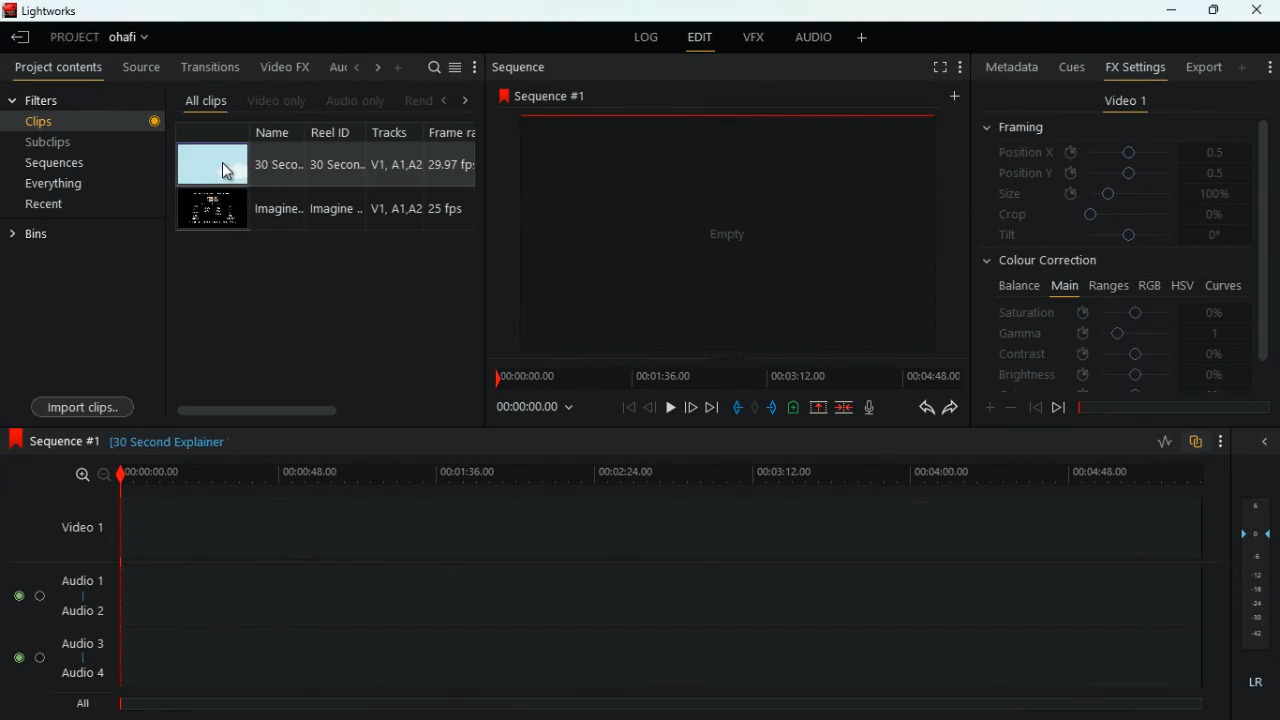 This screenshot has height=720, width=1280. I want to click on V1, A1, A2, so click(396, 210).